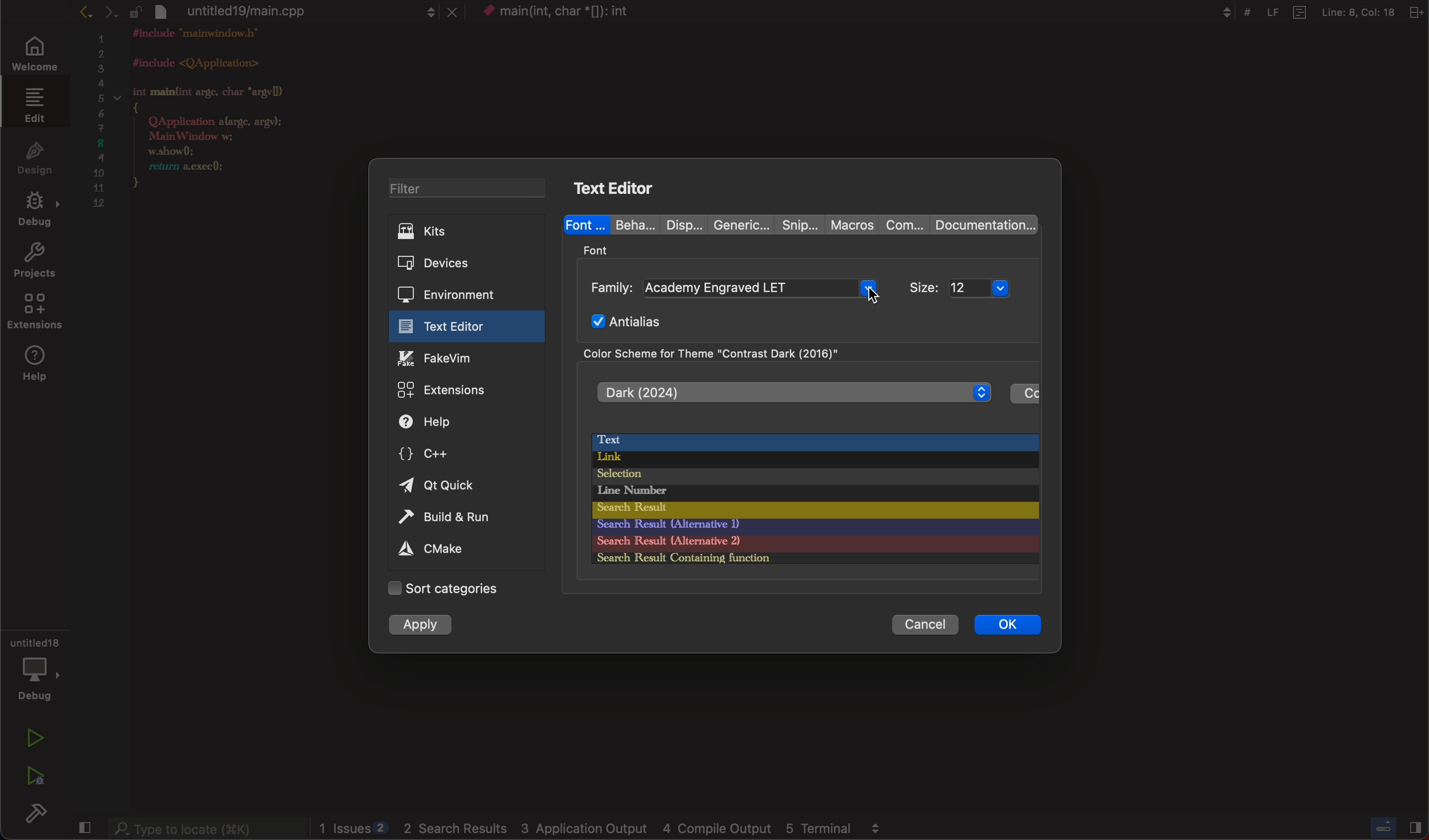 This screenshot has width=1429, height=840. What do you see at coordinates (734, 286) in the screenshot?
I see `family` at bounding box center [734, 286].